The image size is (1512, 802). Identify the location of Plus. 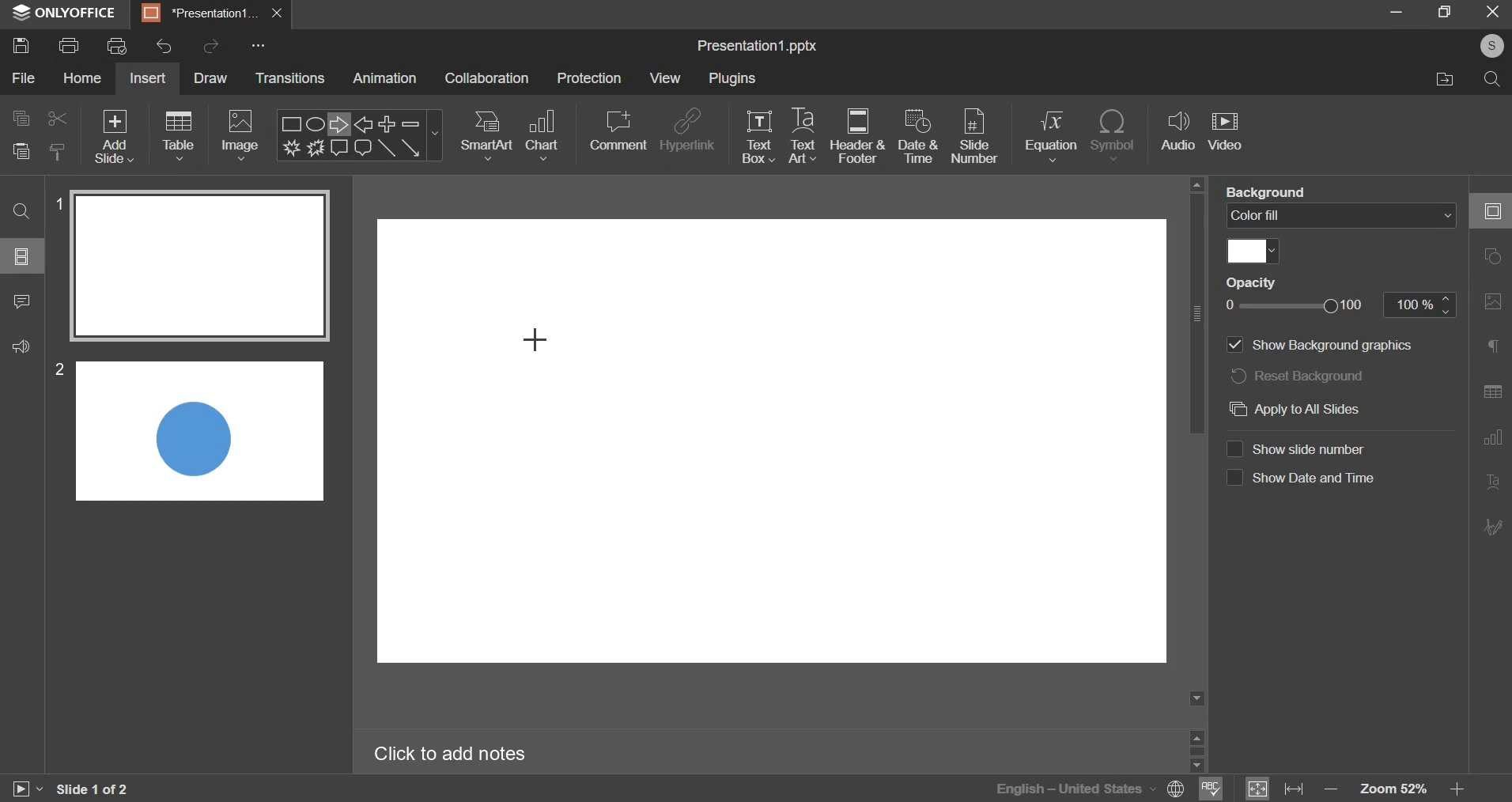
(387, 123).